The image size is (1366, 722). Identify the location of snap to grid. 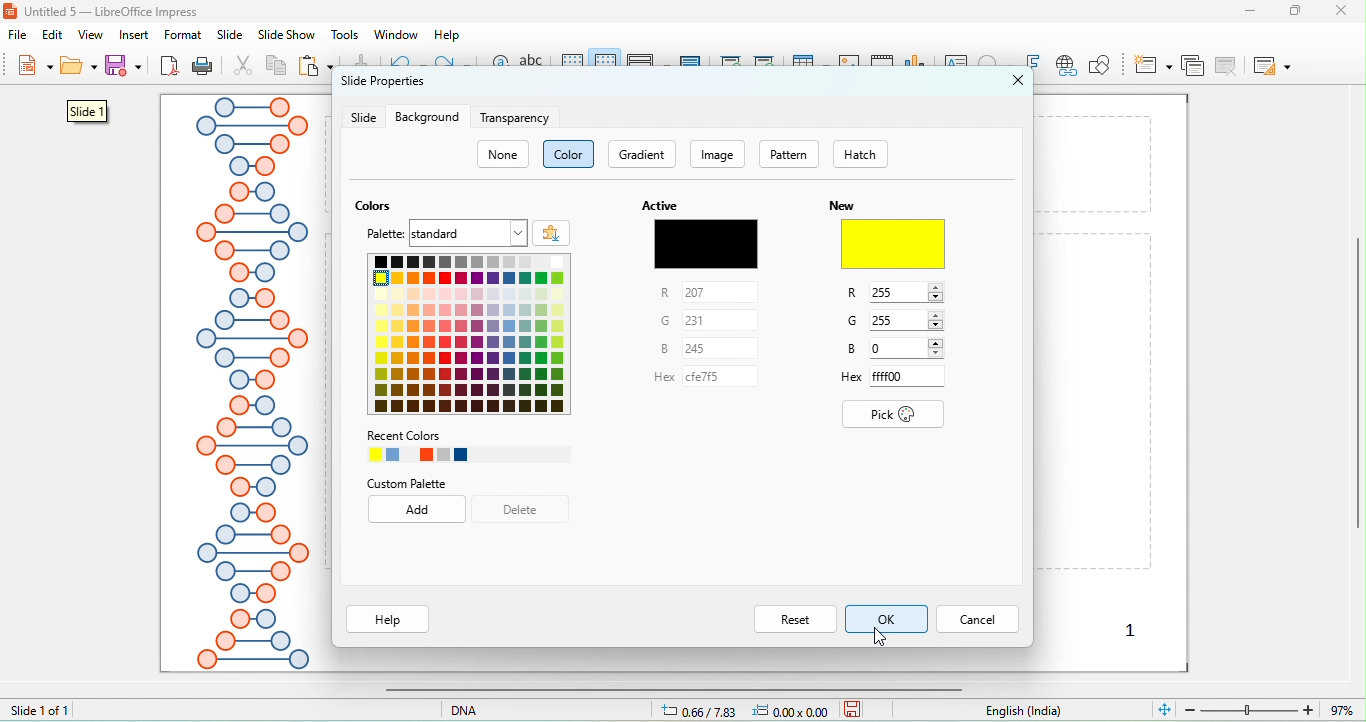
(607, 64).